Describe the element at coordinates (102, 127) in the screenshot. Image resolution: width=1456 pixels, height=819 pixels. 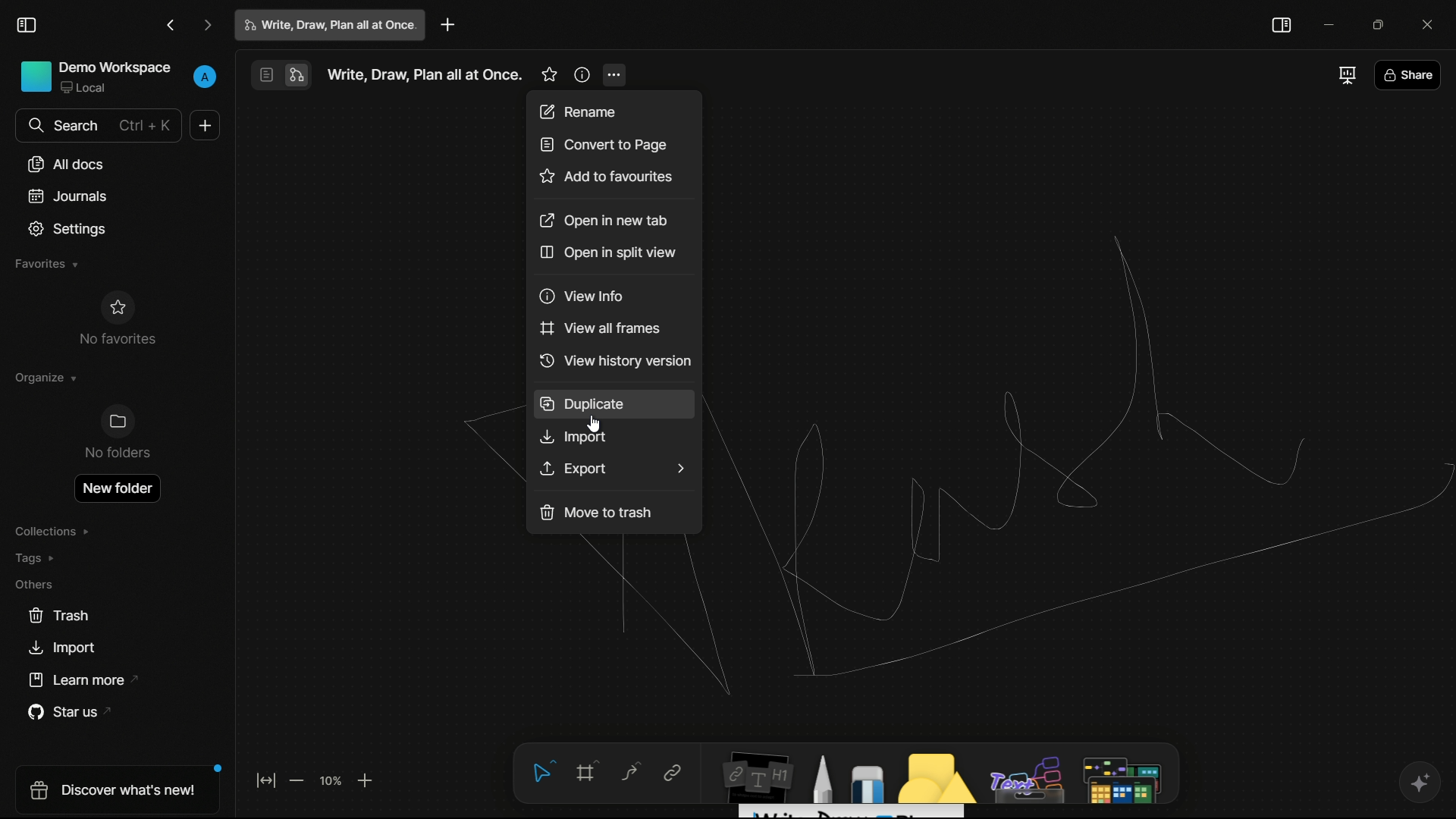
I see `search bar` at that location.